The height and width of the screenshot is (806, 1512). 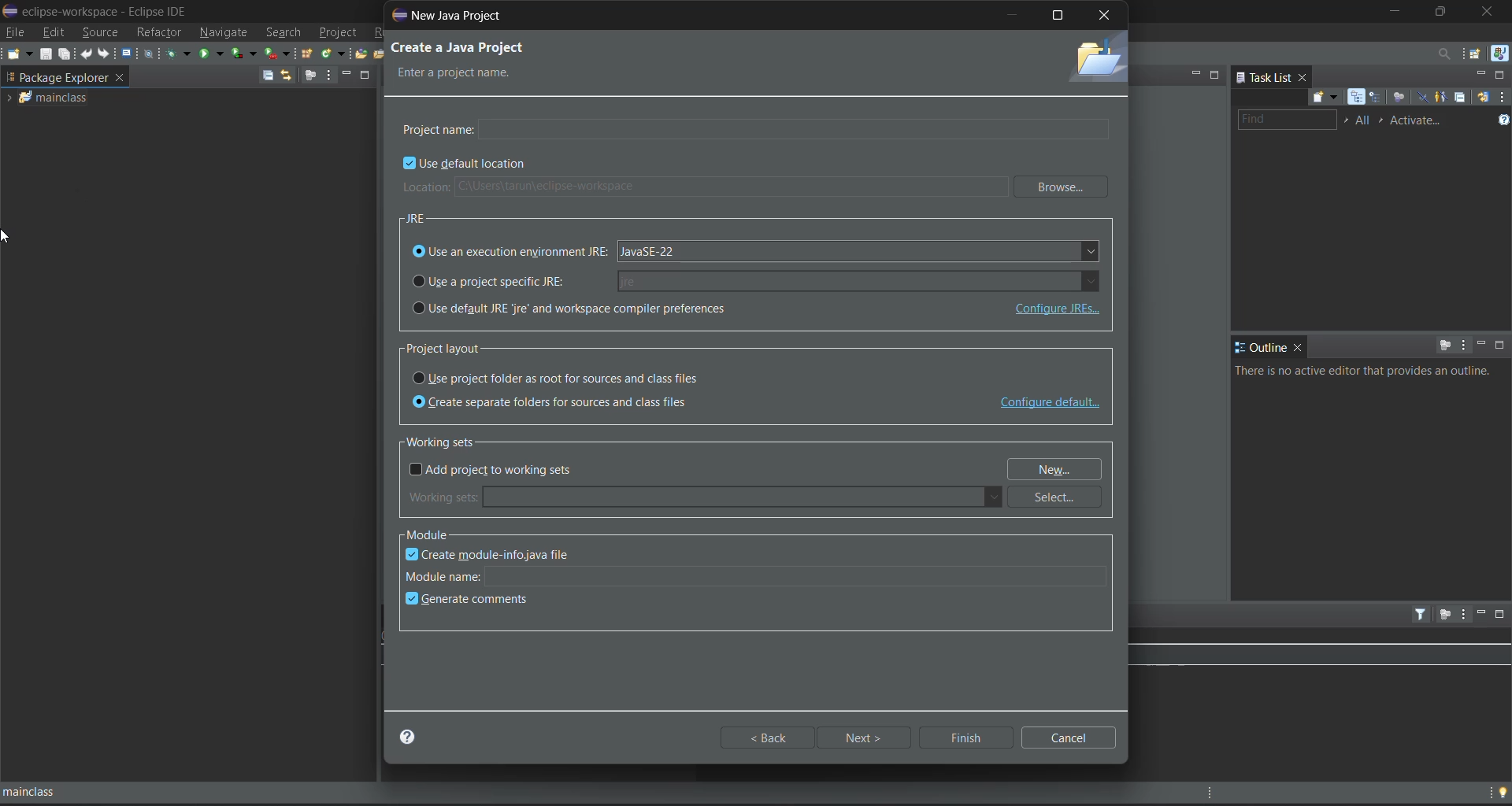 I want to click on working sets, so click(x=705, y=497).